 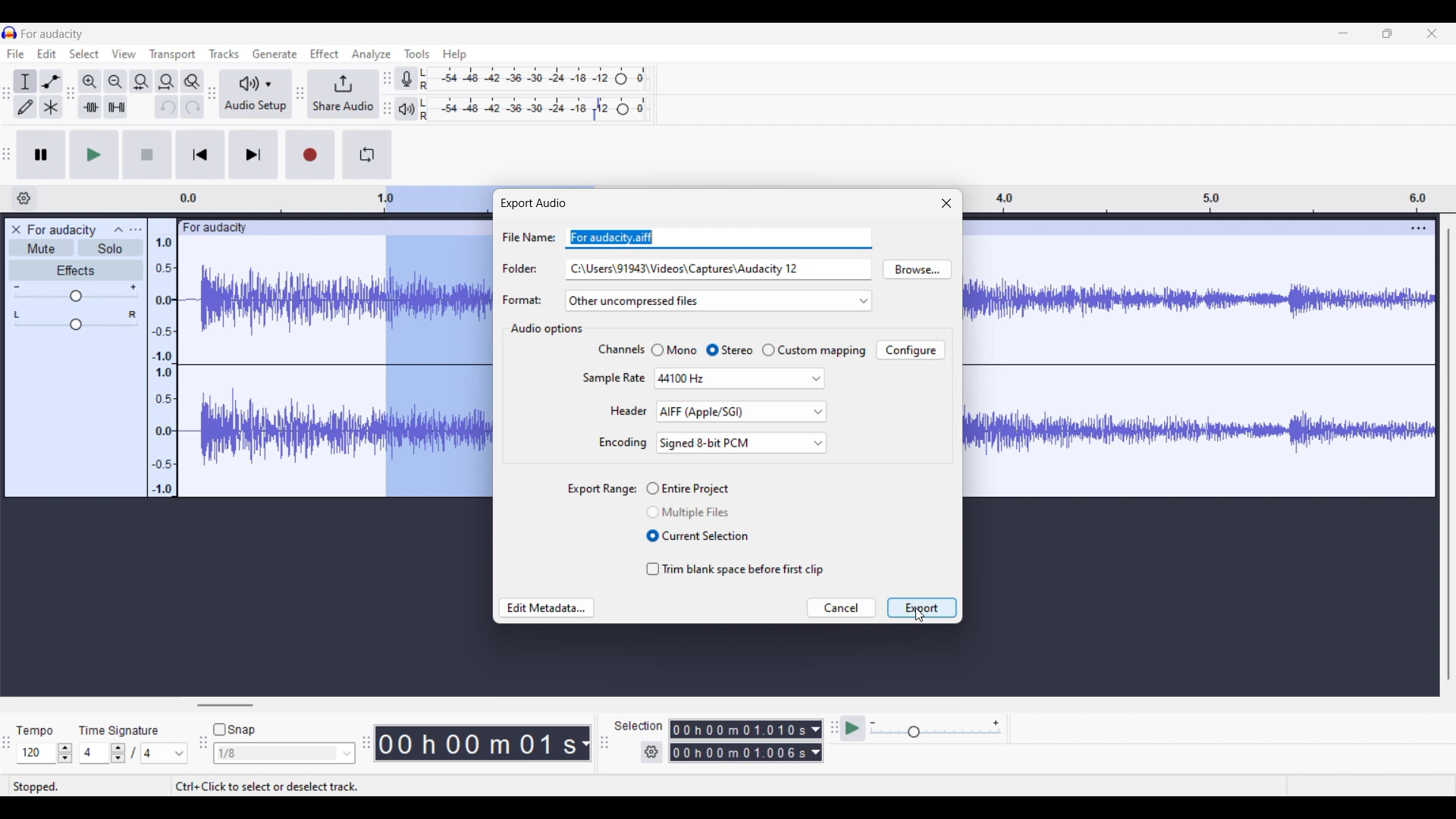 What do you see at coordinates (610, 378) in the screenshot?
I see `Sample Rate` at bounding box center [610, 378].